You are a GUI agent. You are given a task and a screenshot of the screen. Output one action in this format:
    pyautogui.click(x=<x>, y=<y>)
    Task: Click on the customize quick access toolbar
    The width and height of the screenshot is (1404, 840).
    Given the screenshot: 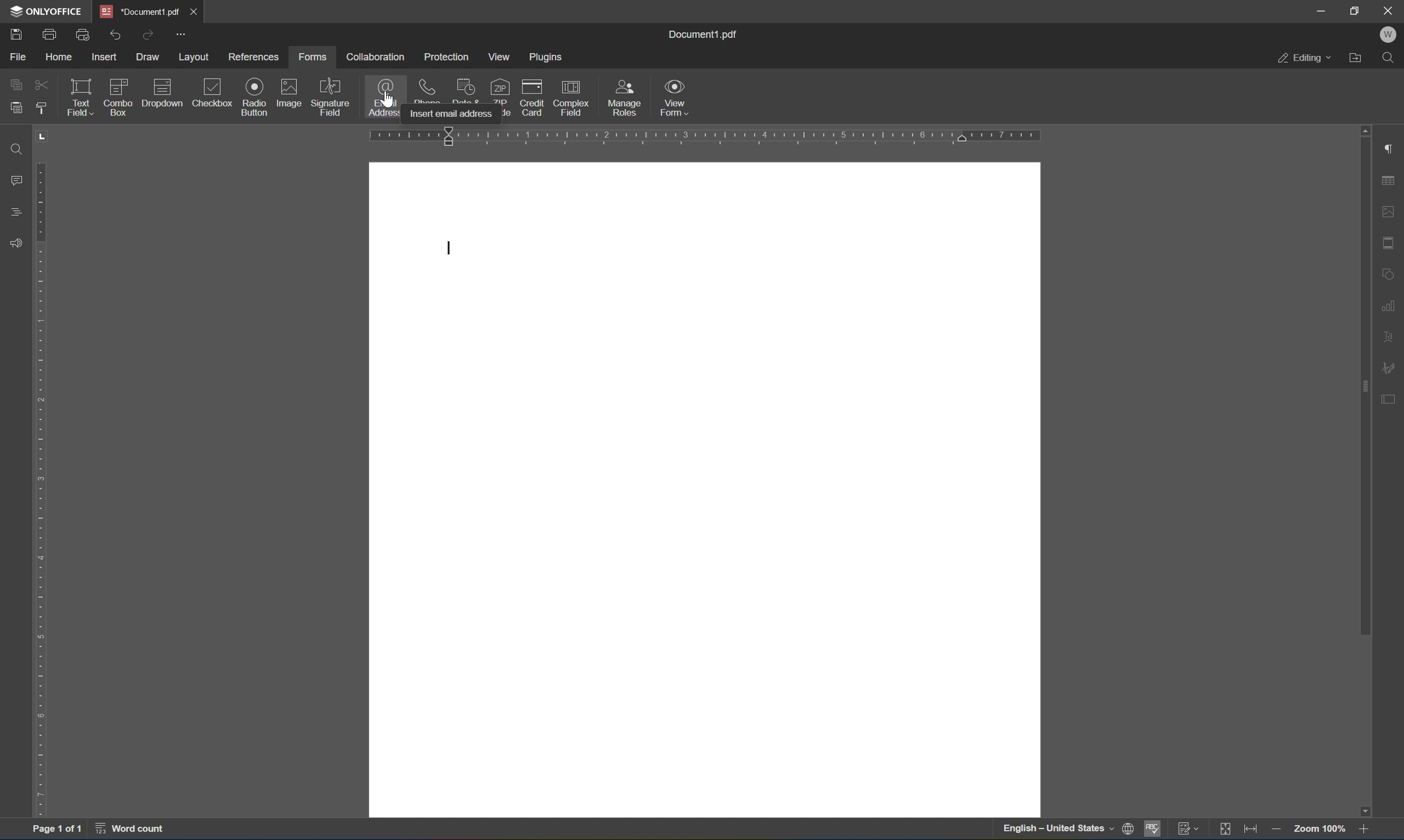 What is the action you would take?
    pyautogui.click(x=181, y=31)
    